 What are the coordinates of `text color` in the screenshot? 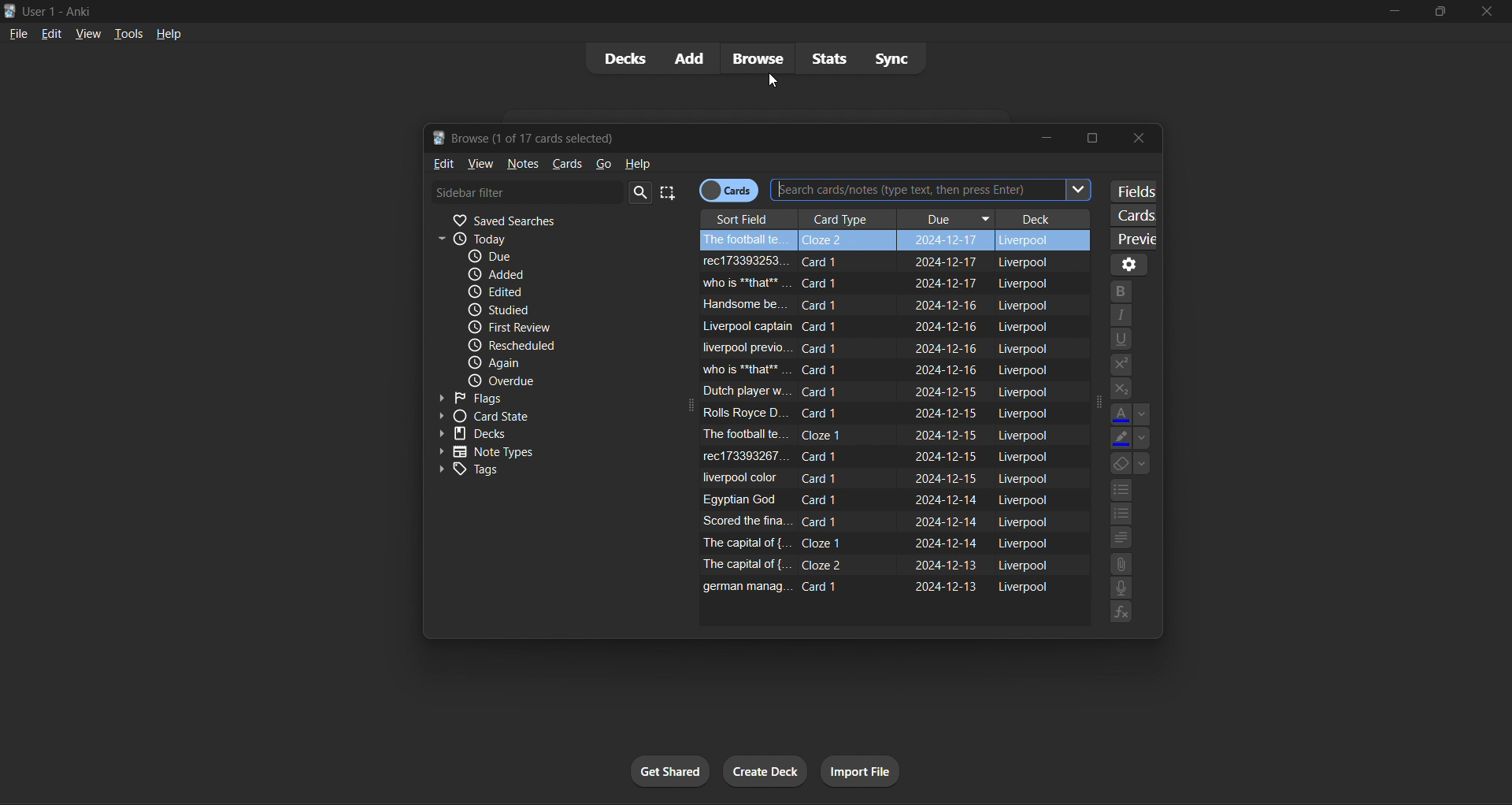 It's located at (1120, 413).